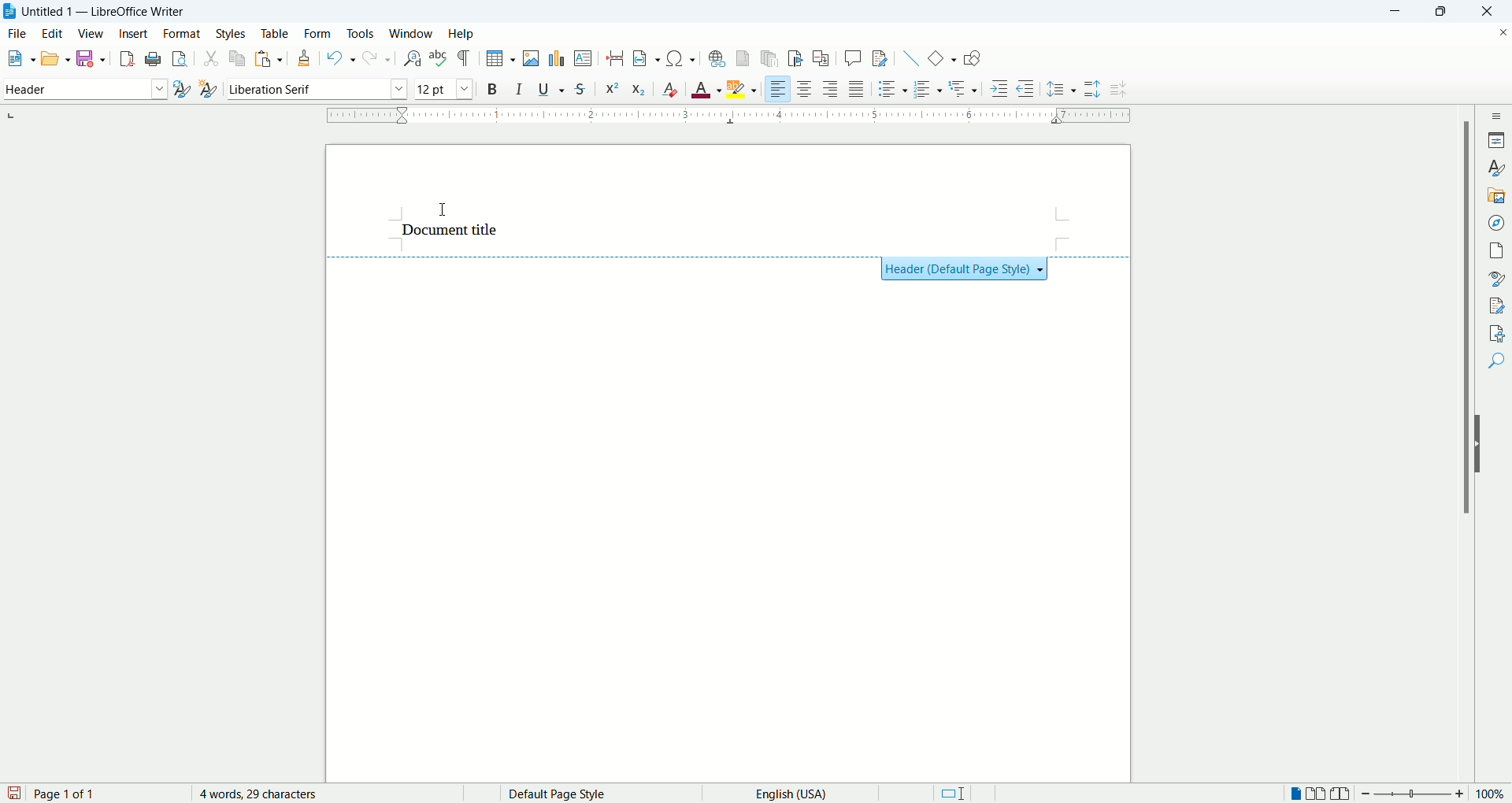 The image size is (1512, 803). I want to click on insert field, so click(646, 58).